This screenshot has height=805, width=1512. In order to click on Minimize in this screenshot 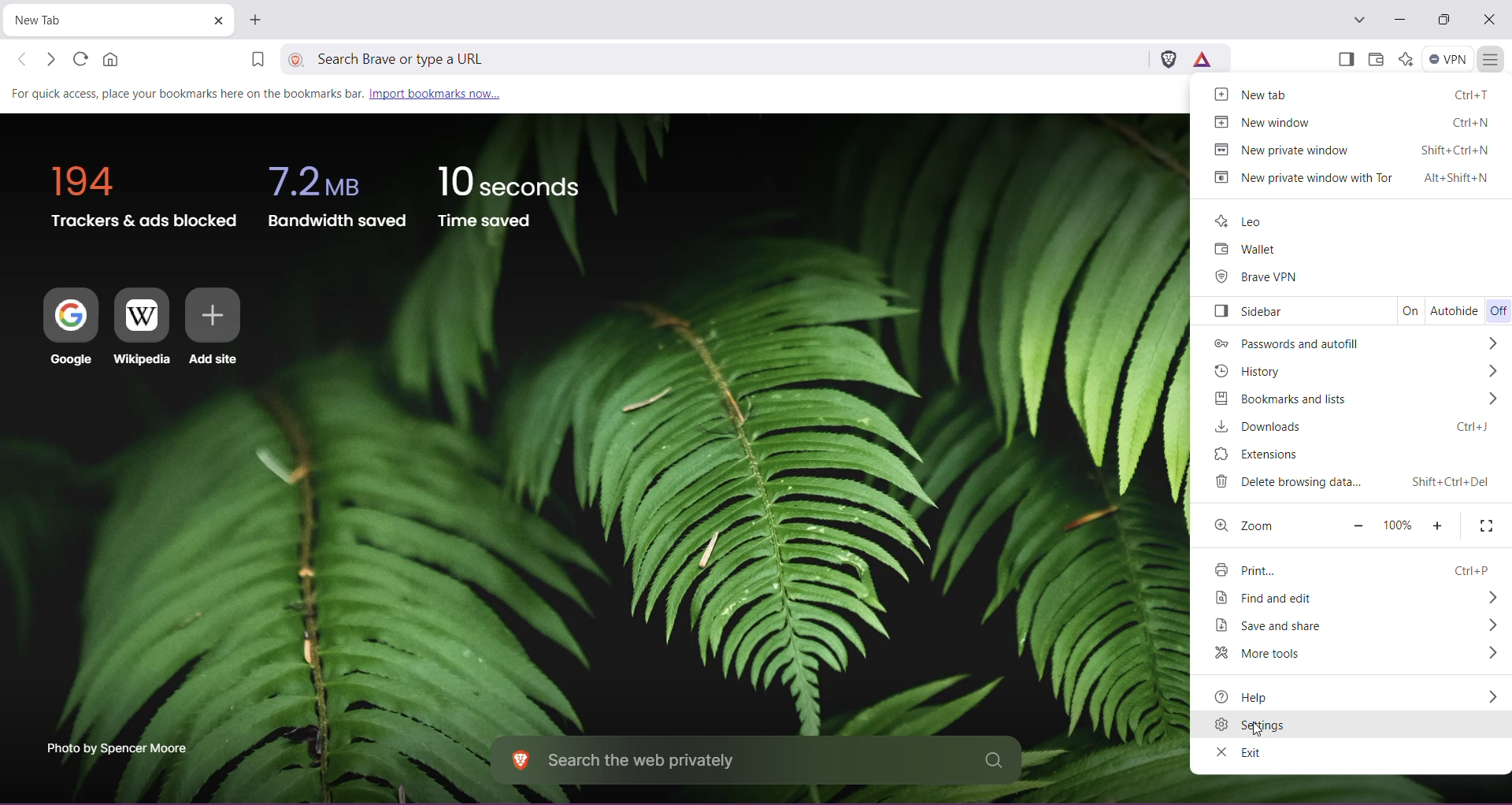, I will do `click(1400, 20)`.